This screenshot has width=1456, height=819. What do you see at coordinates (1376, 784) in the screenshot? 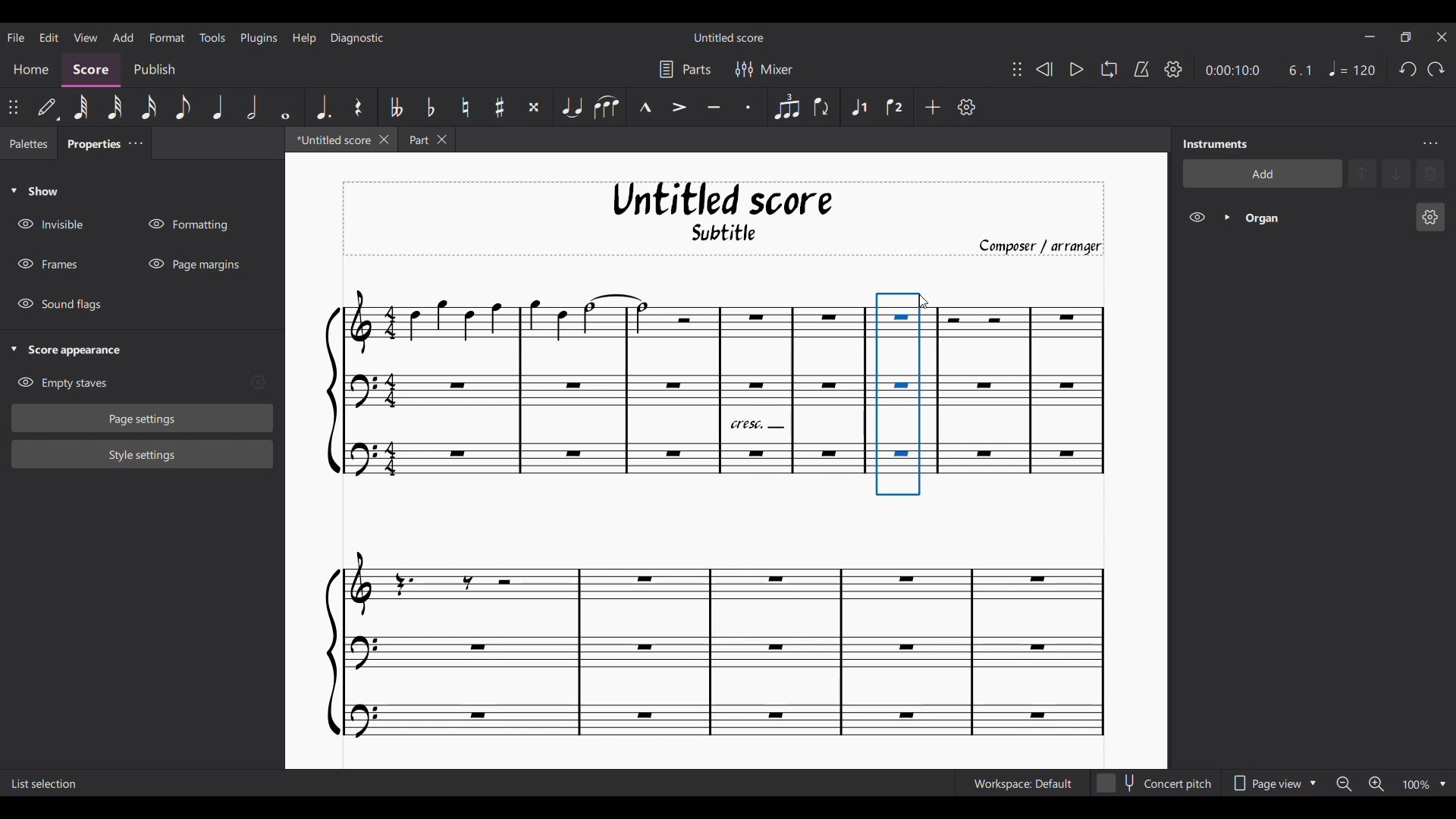
I see `Zoom in` at bounding box center [1376, 784].